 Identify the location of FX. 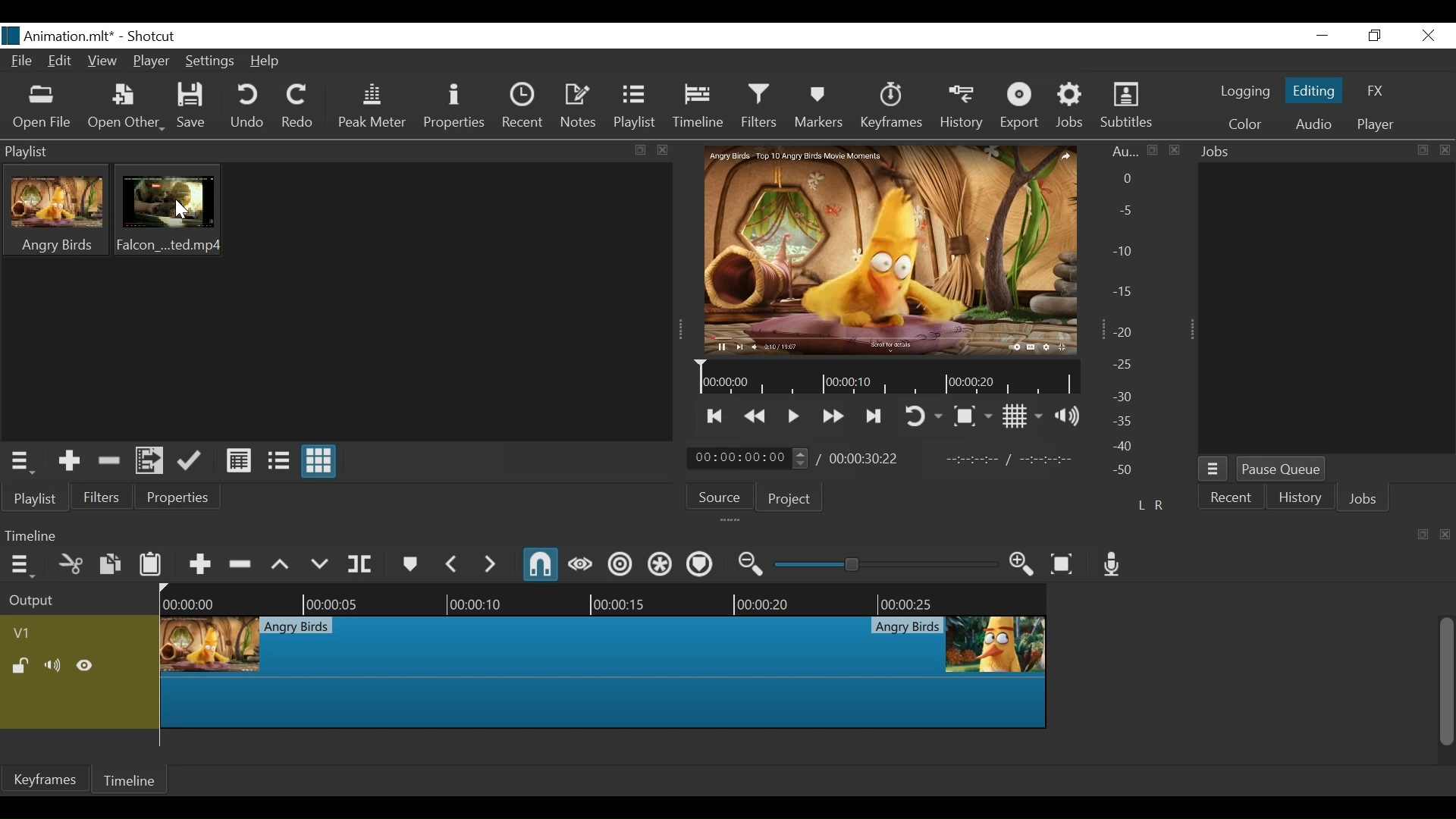
(1376, 91).